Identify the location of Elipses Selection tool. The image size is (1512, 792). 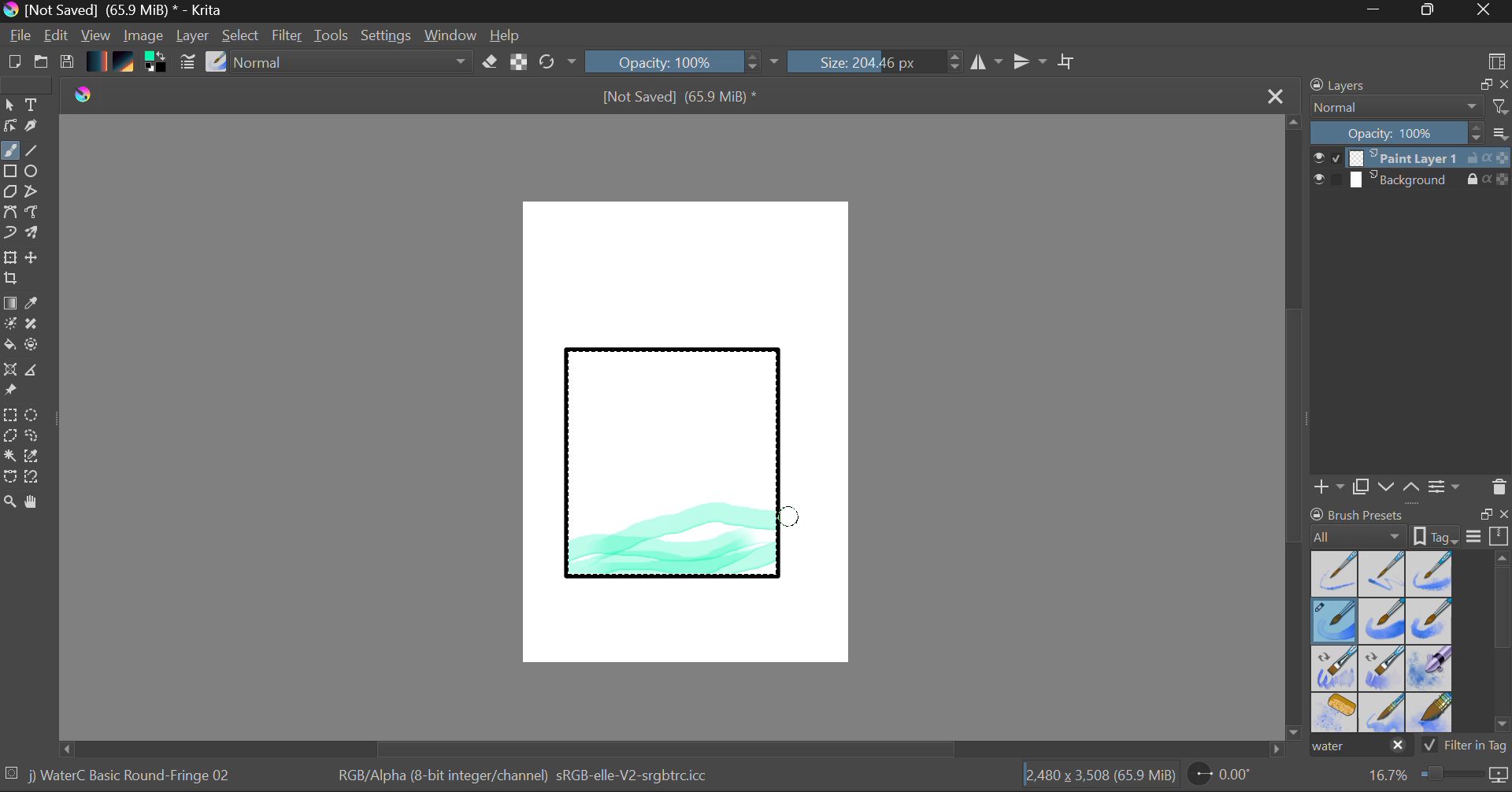
(35, 416).